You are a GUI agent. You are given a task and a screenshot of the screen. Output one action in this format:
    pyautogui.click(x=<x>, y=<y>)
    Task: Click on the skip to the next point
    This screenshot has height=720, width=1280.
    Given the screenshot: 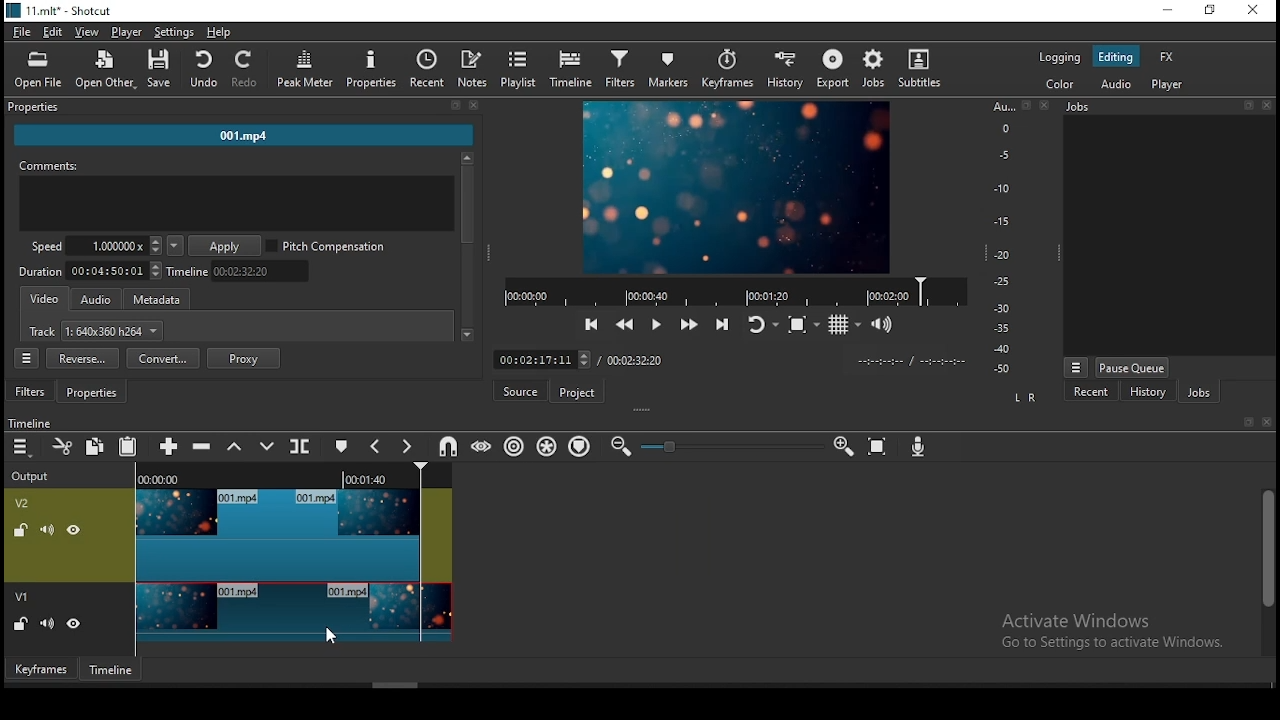 What is the action you would take?
    pyautogui.click(x=726, y=323)
    